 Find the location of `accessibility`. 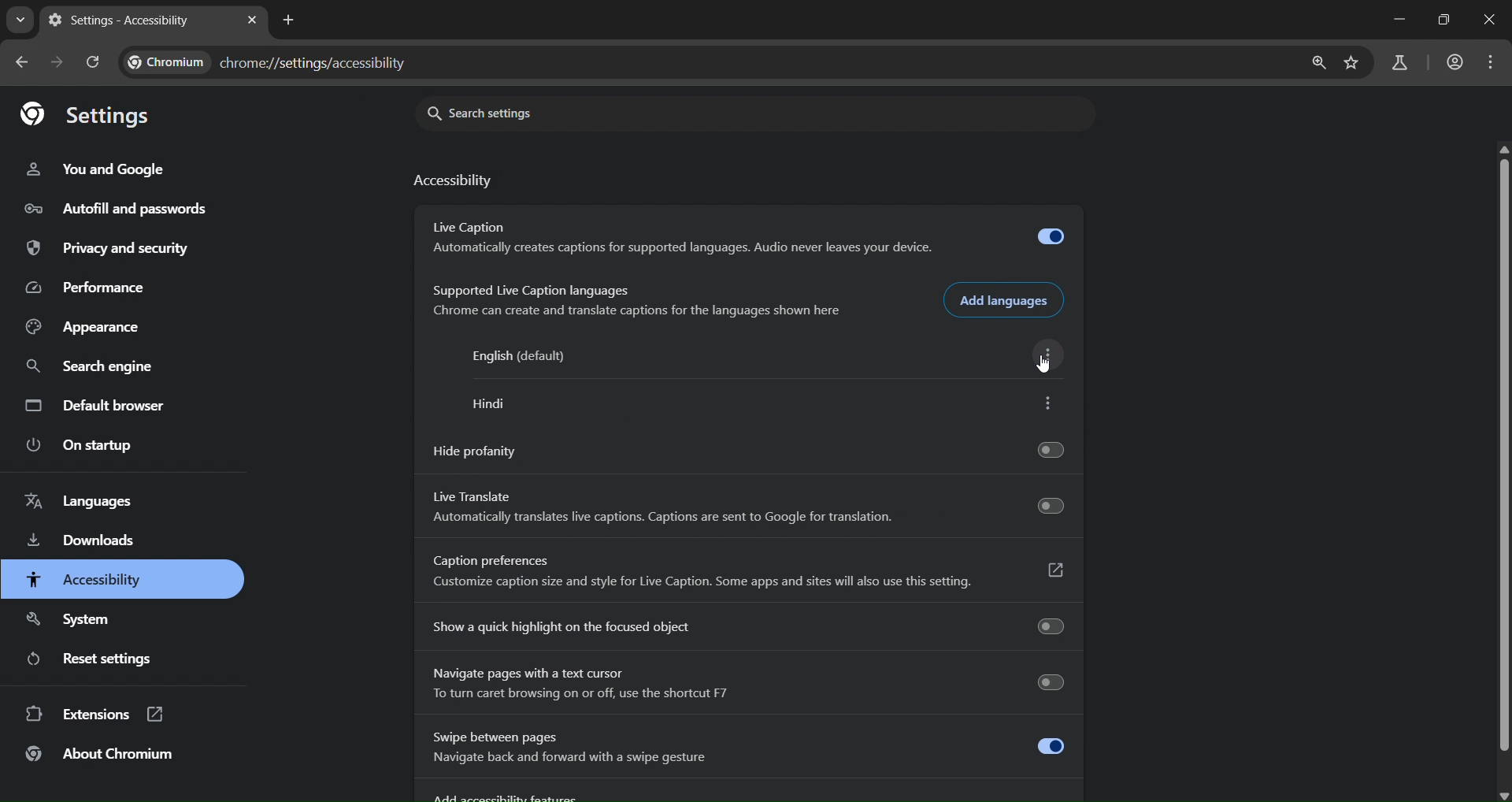

accessibility is located at coordinates (457, 182).